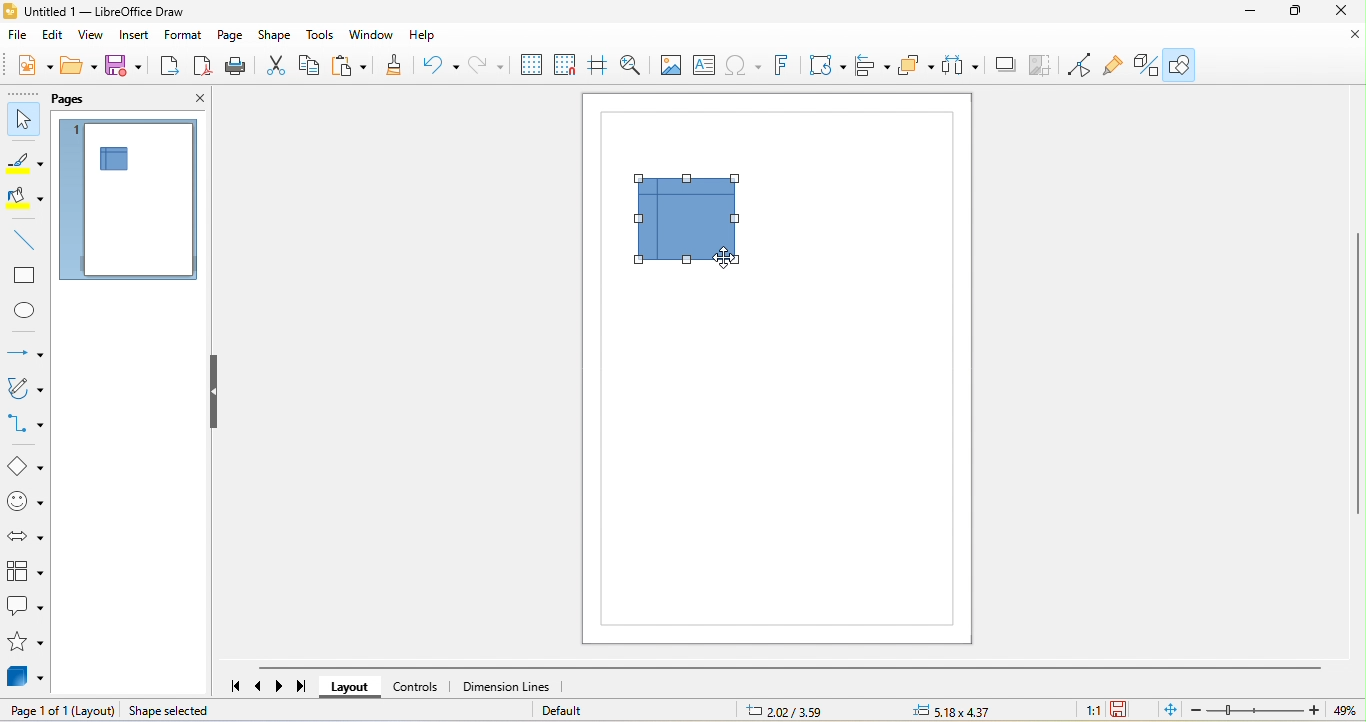  Describe the element at coordinates (25, 504) in the screenshot. I see `symbol shape` at that location.